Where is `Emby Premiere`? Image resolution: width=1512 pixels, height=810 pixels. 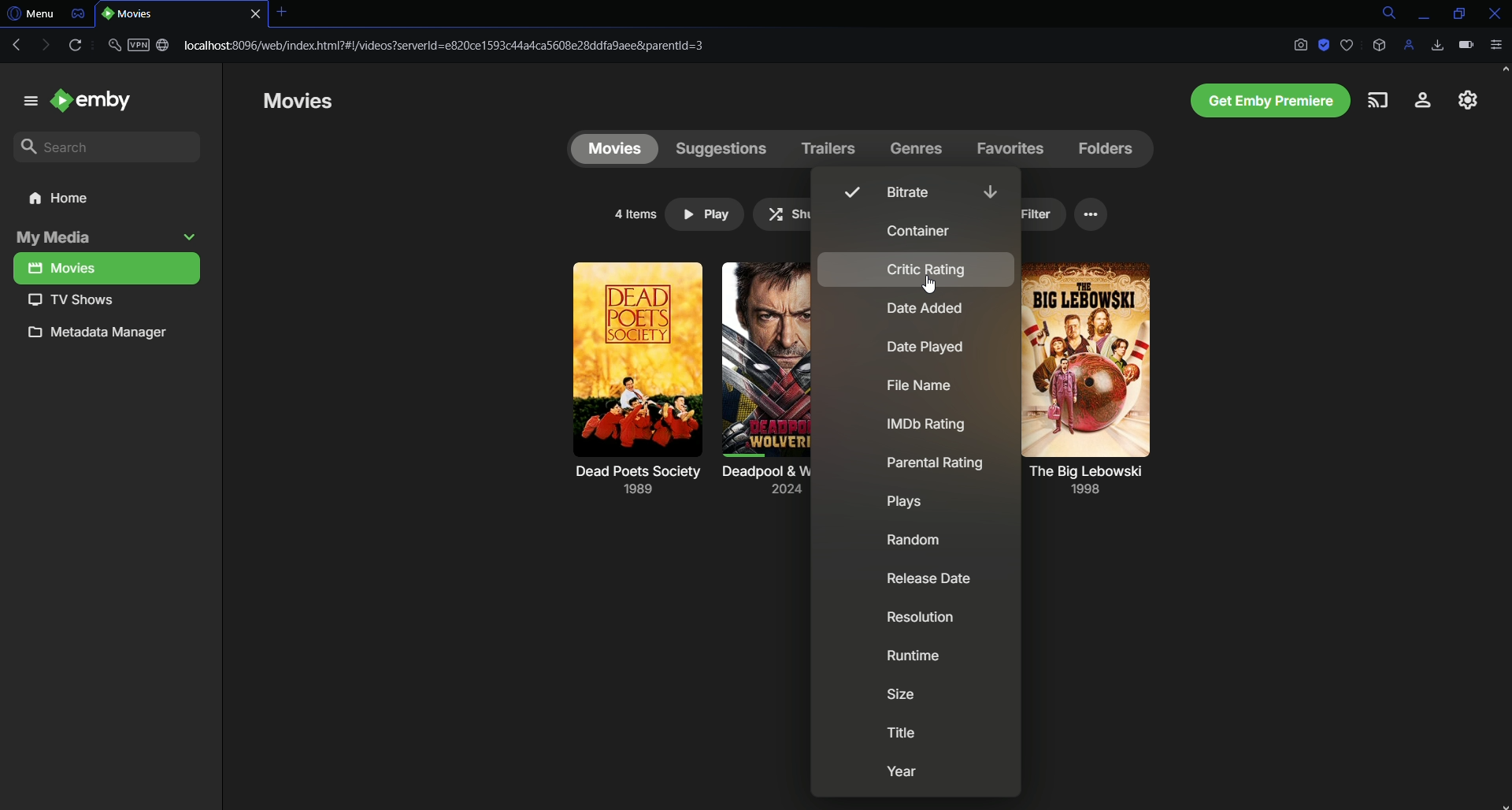 Emby Premiere is located at coordinates (1261, 98).